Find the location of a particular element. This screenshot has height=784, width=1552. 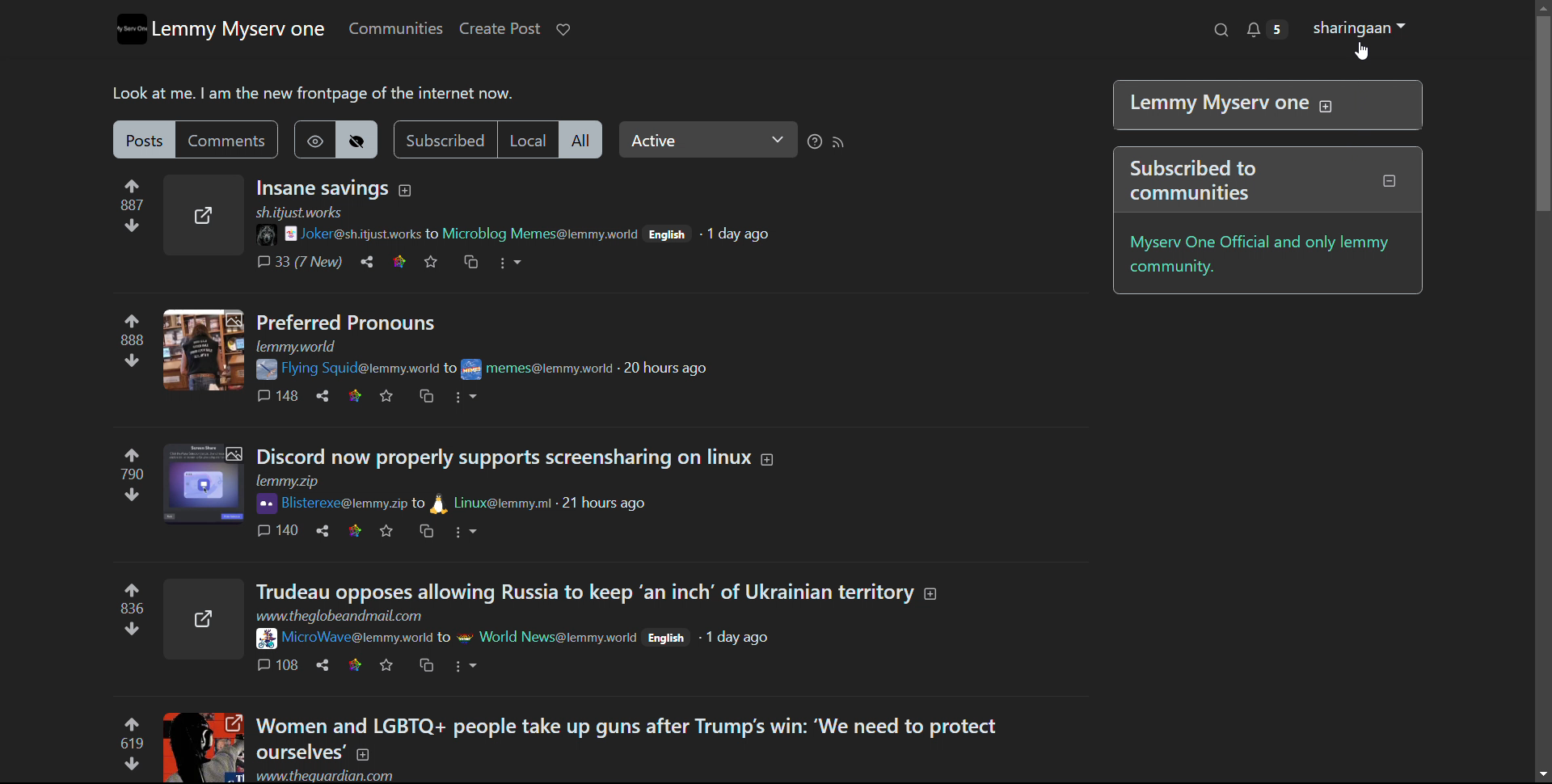

share is located at coordinates (367, 261).